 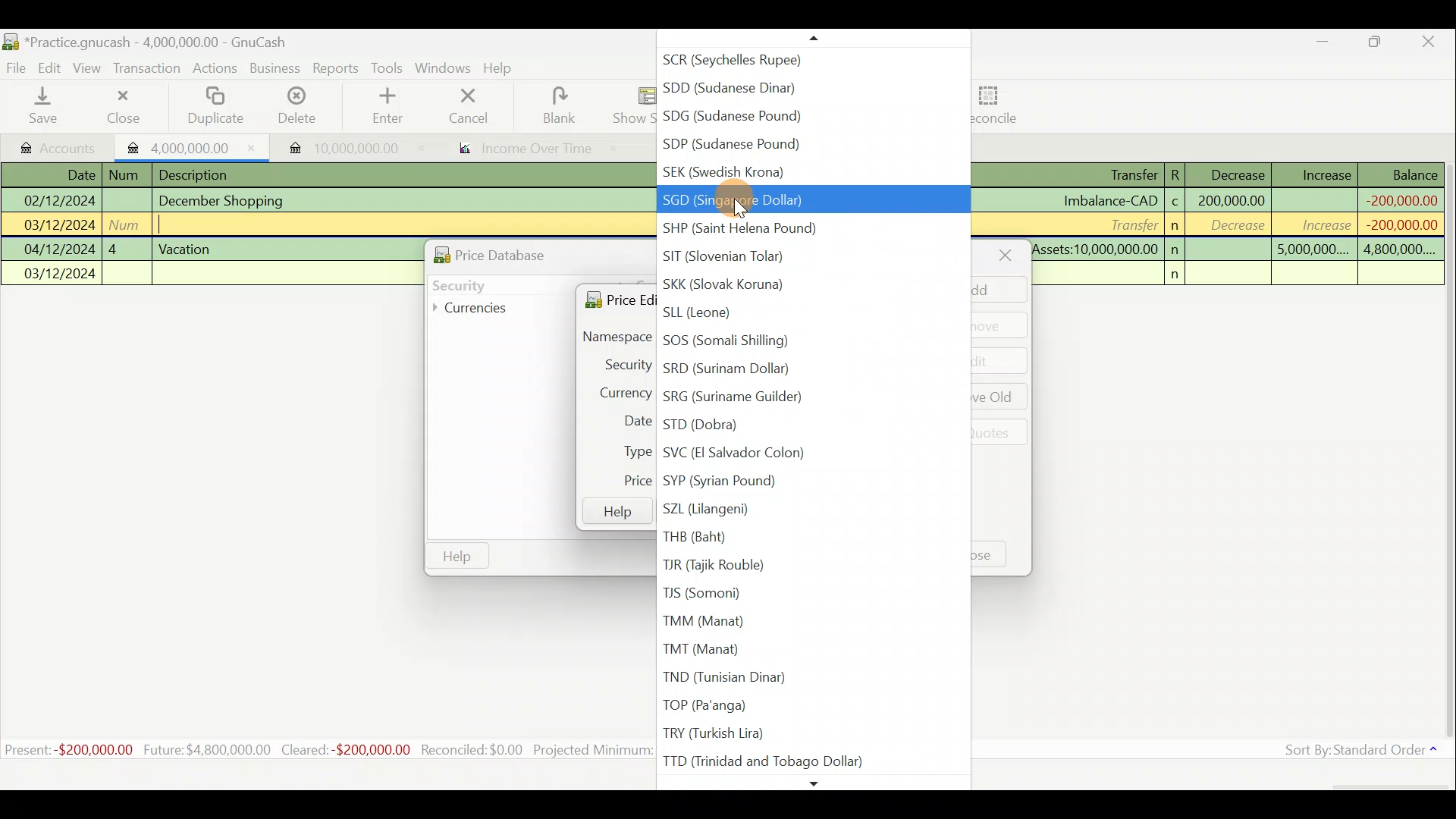 What do you see at coordinates (737, 206) in the screenshot?
I see `cursor` at bounding box center [737, 206].